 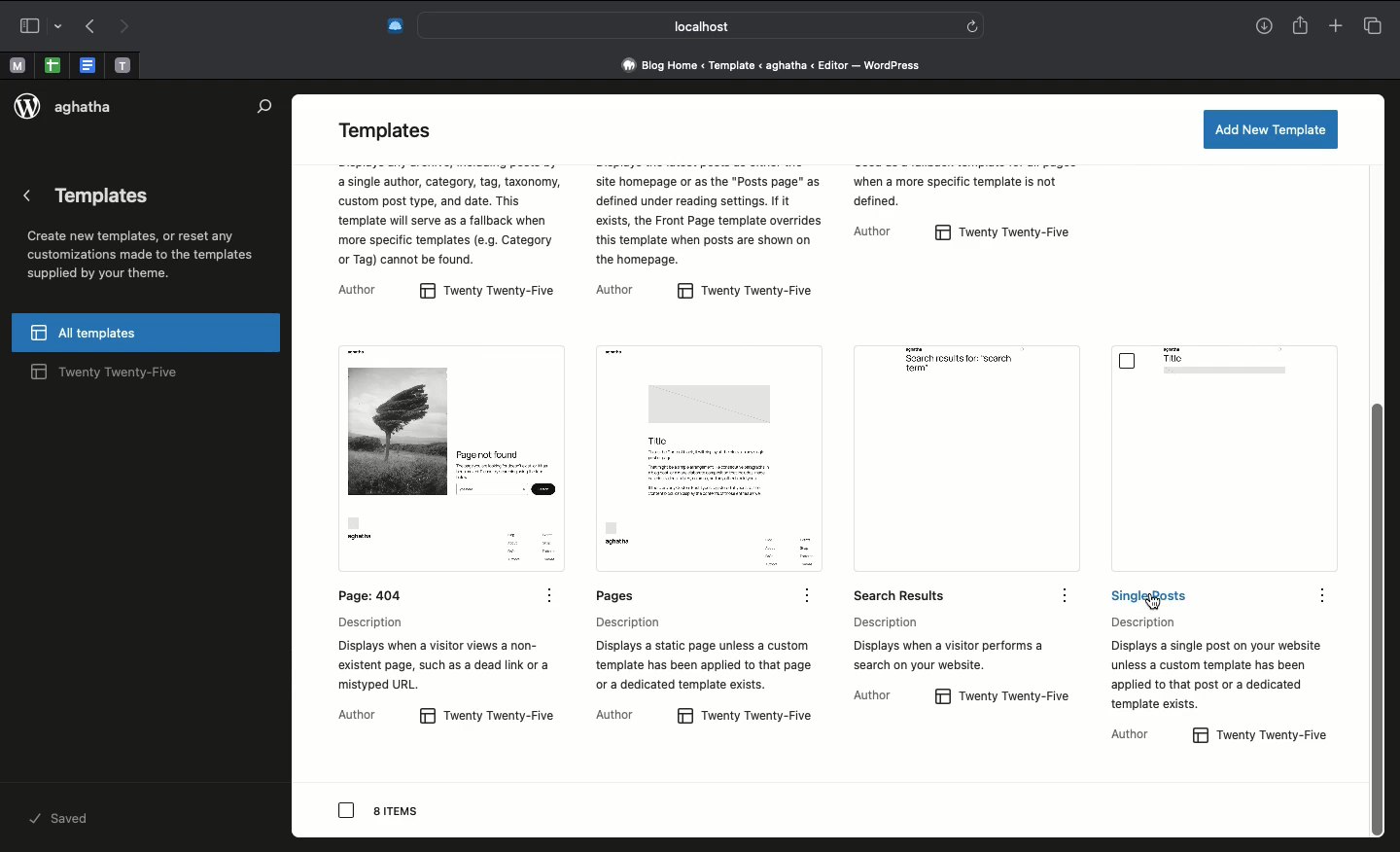 I want to click on cursor, so click(x=1156, y=602).